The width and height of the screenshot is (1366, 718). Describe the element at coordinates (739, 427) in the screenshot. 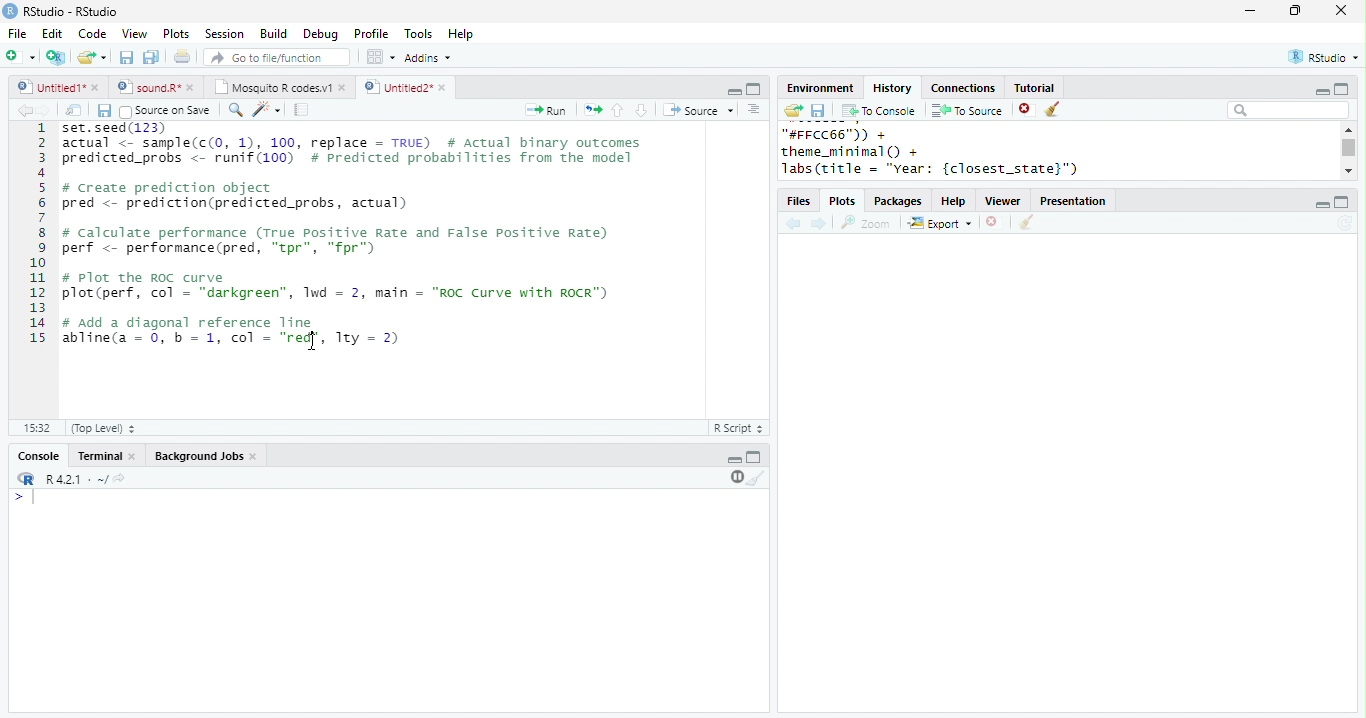

I see `R Script` at that location.